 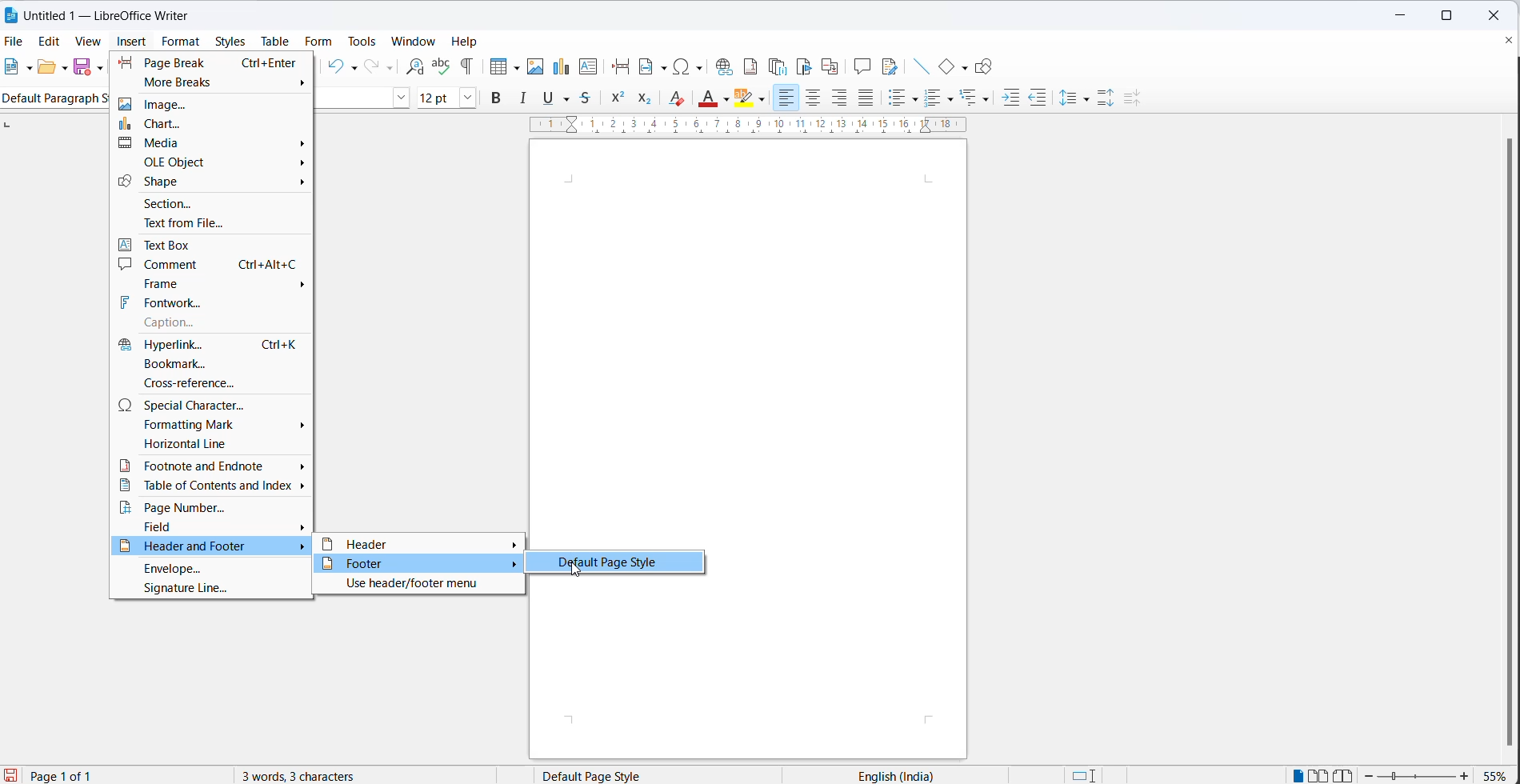 What do you see at coordinates (840, 98) in the screenshot?
I see `text align right` at bounding box center [840, 98].